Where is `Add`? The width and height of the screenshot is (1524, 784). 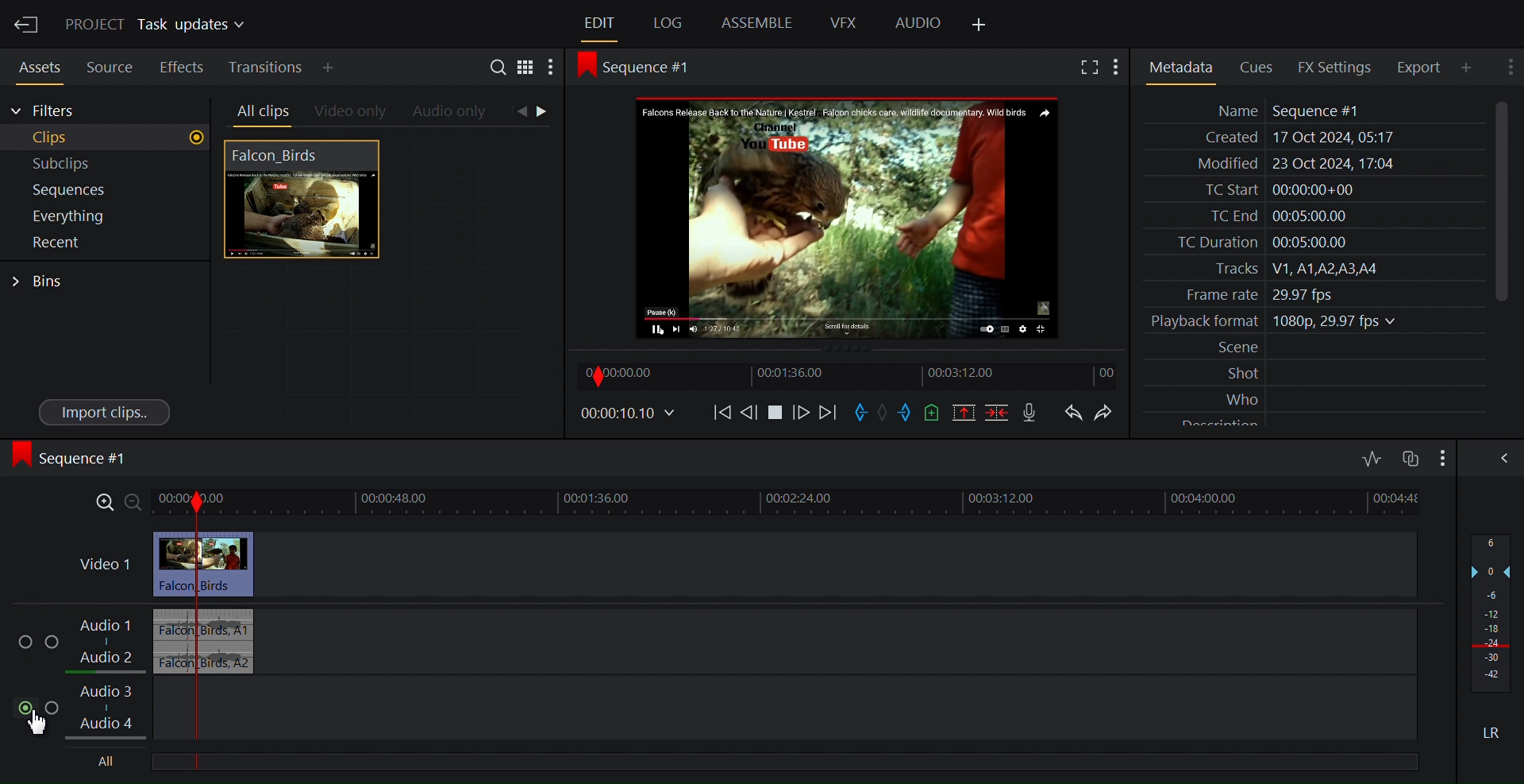
Add is located at coordinates (341, 67).